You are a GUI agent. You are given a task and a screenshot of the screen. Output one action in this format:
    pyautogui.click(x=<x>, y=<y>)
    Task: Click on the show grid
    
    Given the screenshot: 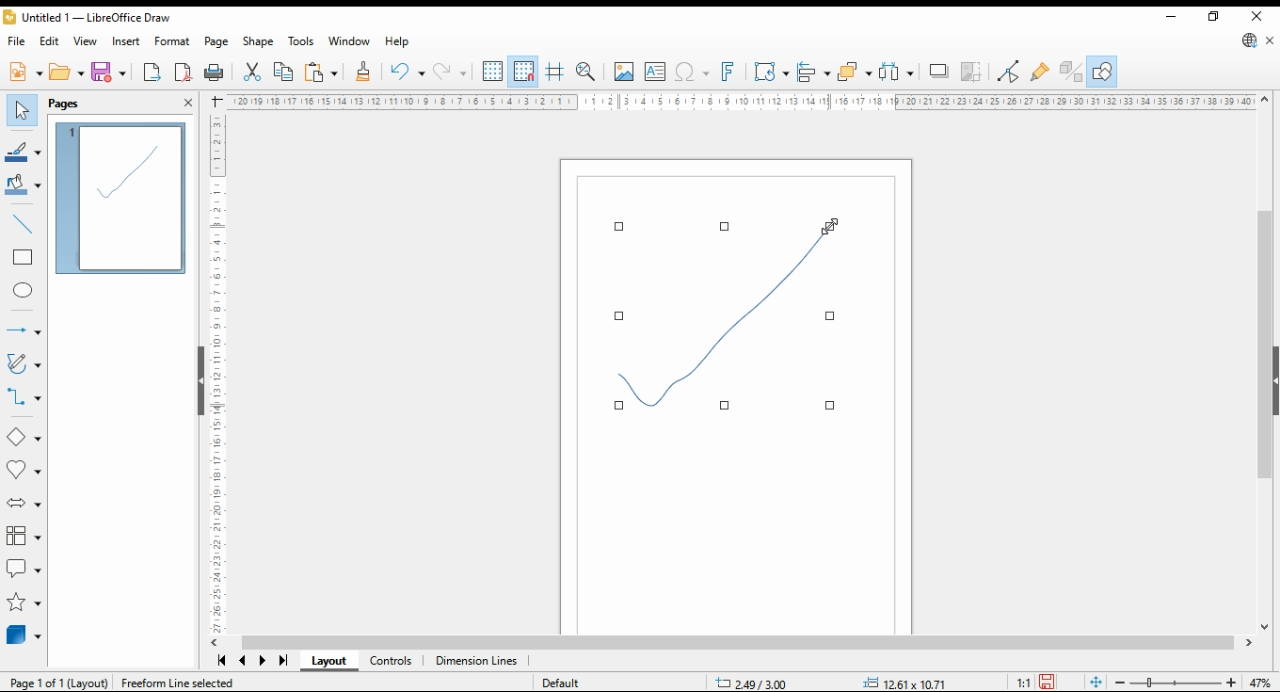 What is the action you would take?
    pyautogui.click(x=493, y=71)
    